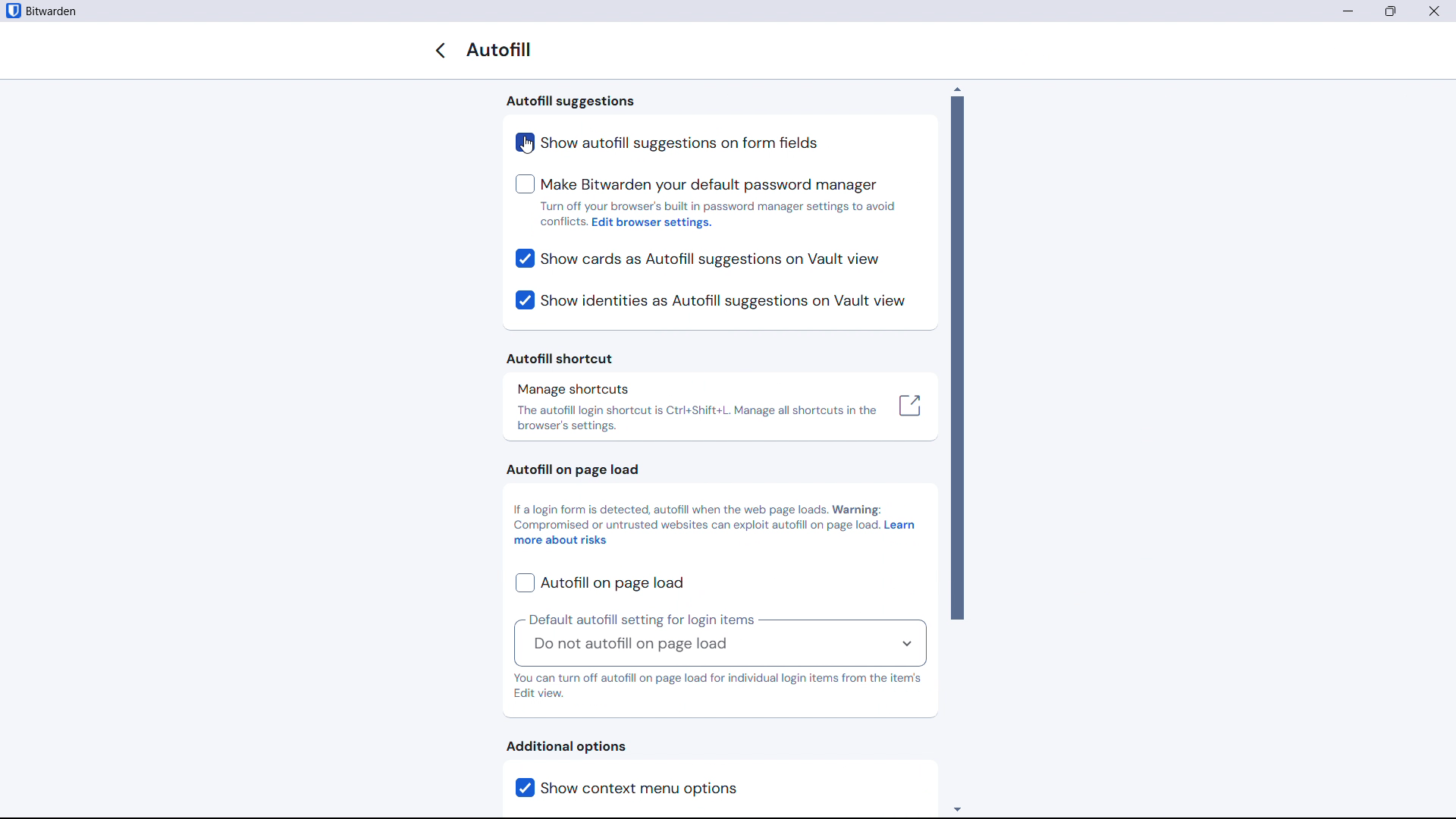  What do you see at coordinates (957, 808) in the screenshot?
I see `Scroll down ` at bounding box center [957, 808].